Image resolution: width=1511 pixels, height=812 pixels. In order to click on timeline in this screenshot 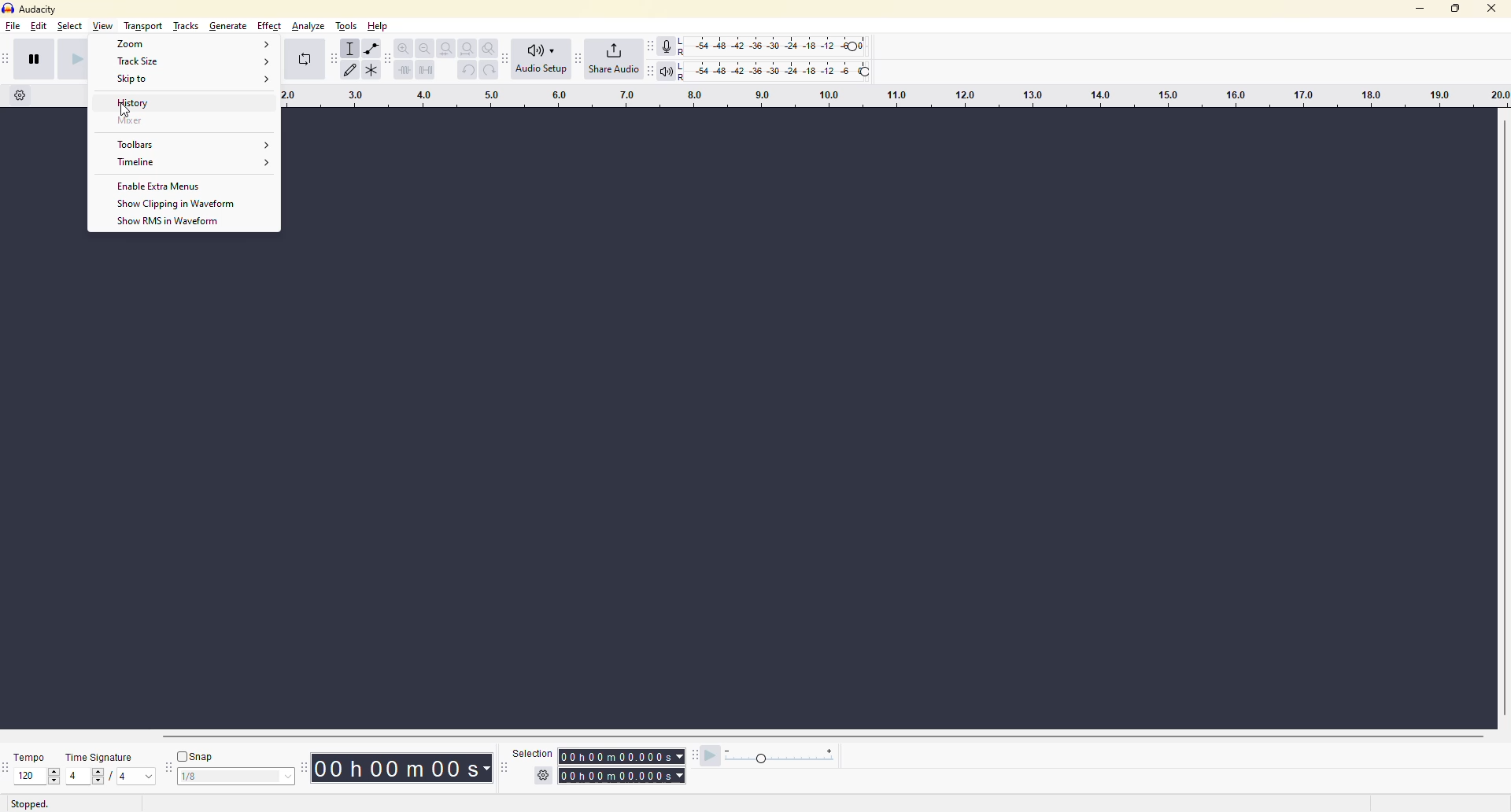, I will do `click(193, 165)`.